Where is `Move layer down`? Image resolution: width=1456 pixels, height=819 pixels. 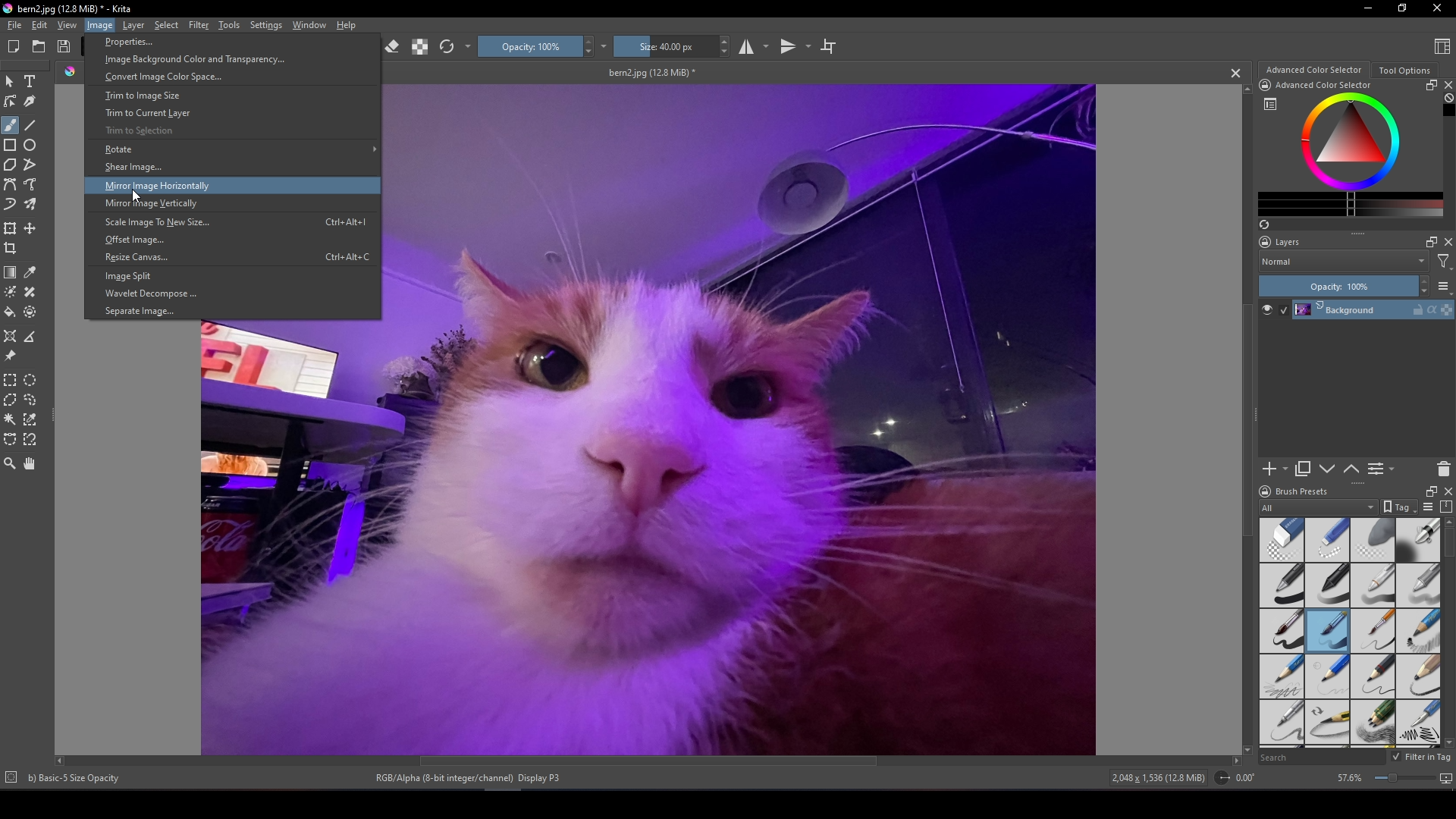 Move layer down is located at coordinates (1352, 469).